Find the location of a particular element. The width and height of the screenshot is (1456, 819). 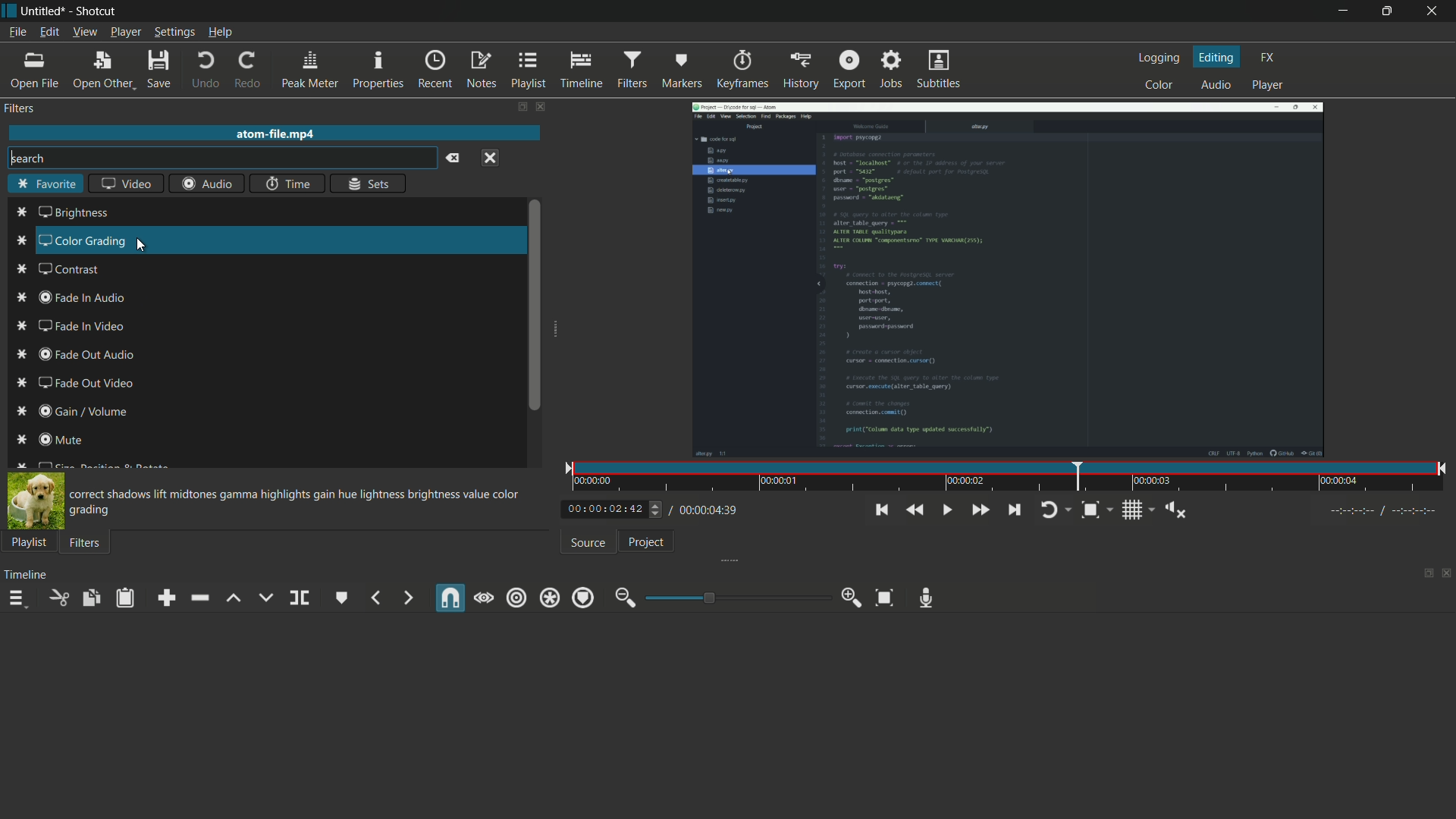

change layout is located at coordinates (517, 106).